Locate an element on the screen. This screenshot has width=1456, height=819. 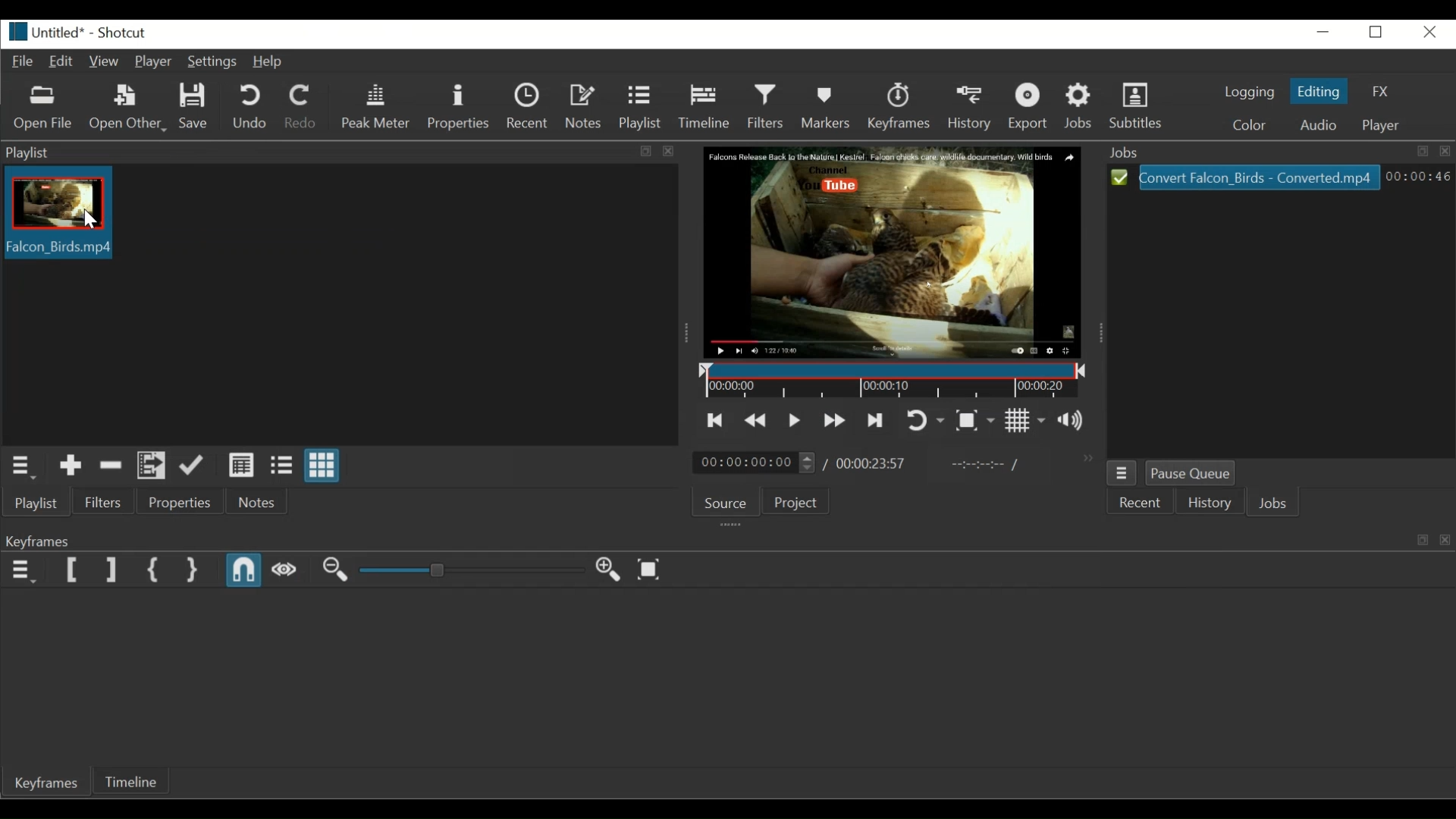
View is located at coordinates (104, 60).